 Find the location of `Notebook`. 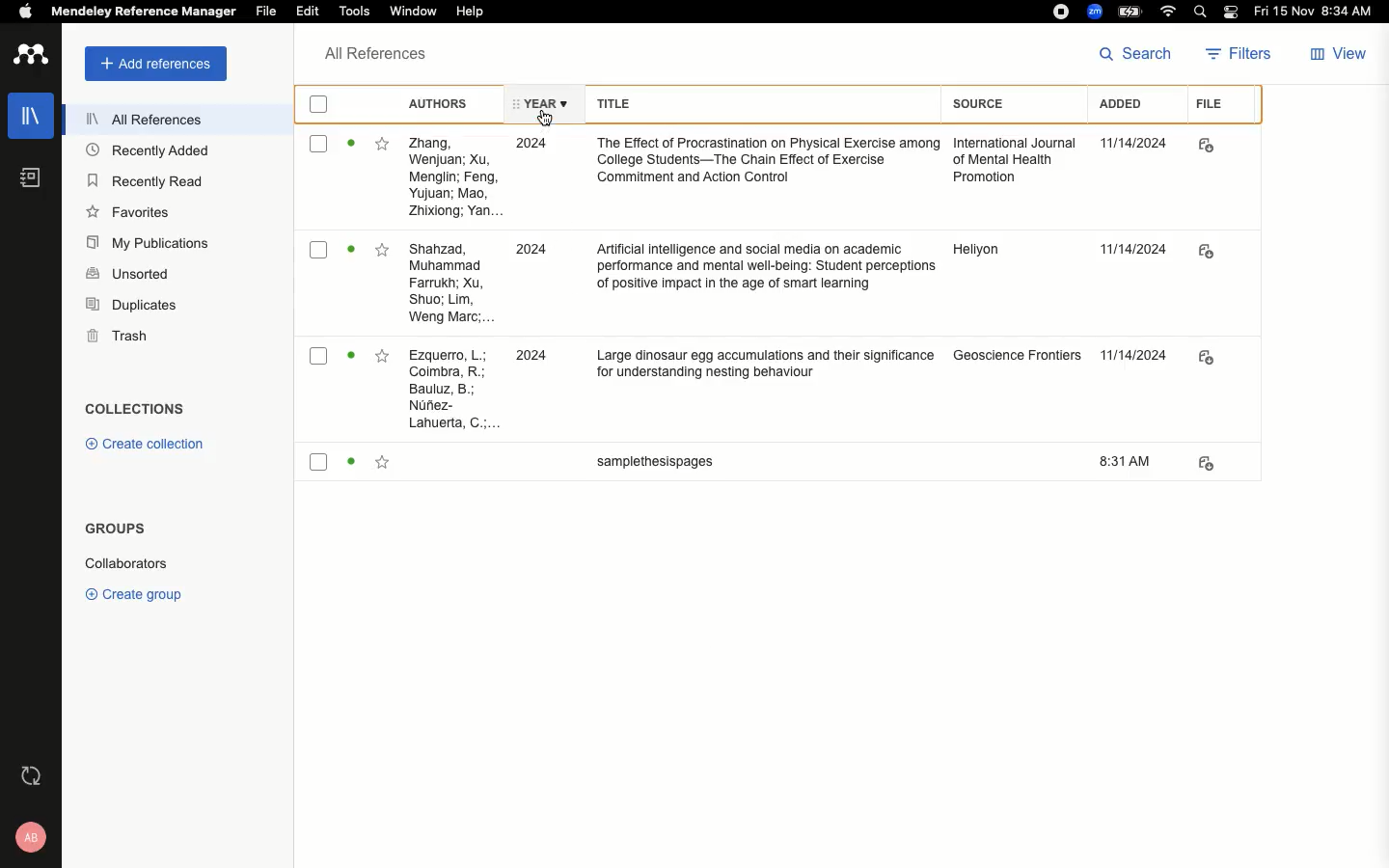

Notebook is located at coordinates (23, 176).